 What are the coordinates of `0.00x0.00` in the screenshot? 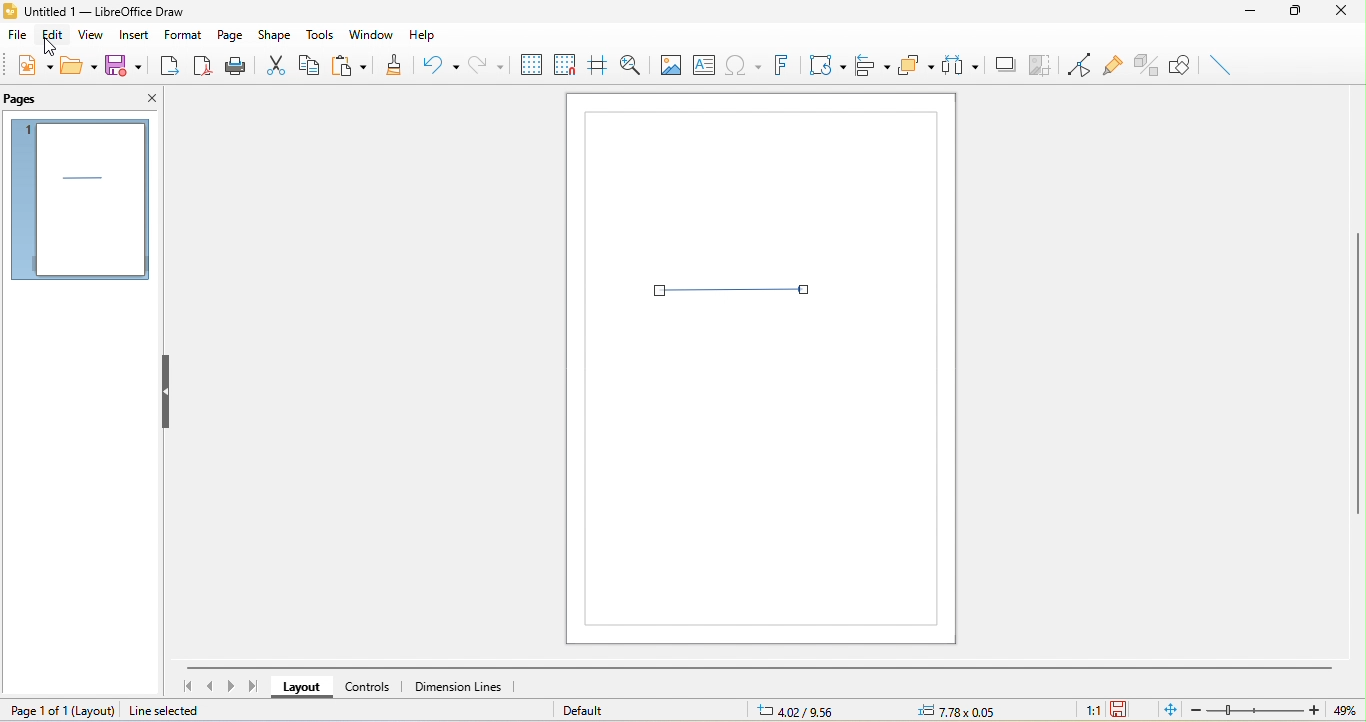 It's located at (954, 711).